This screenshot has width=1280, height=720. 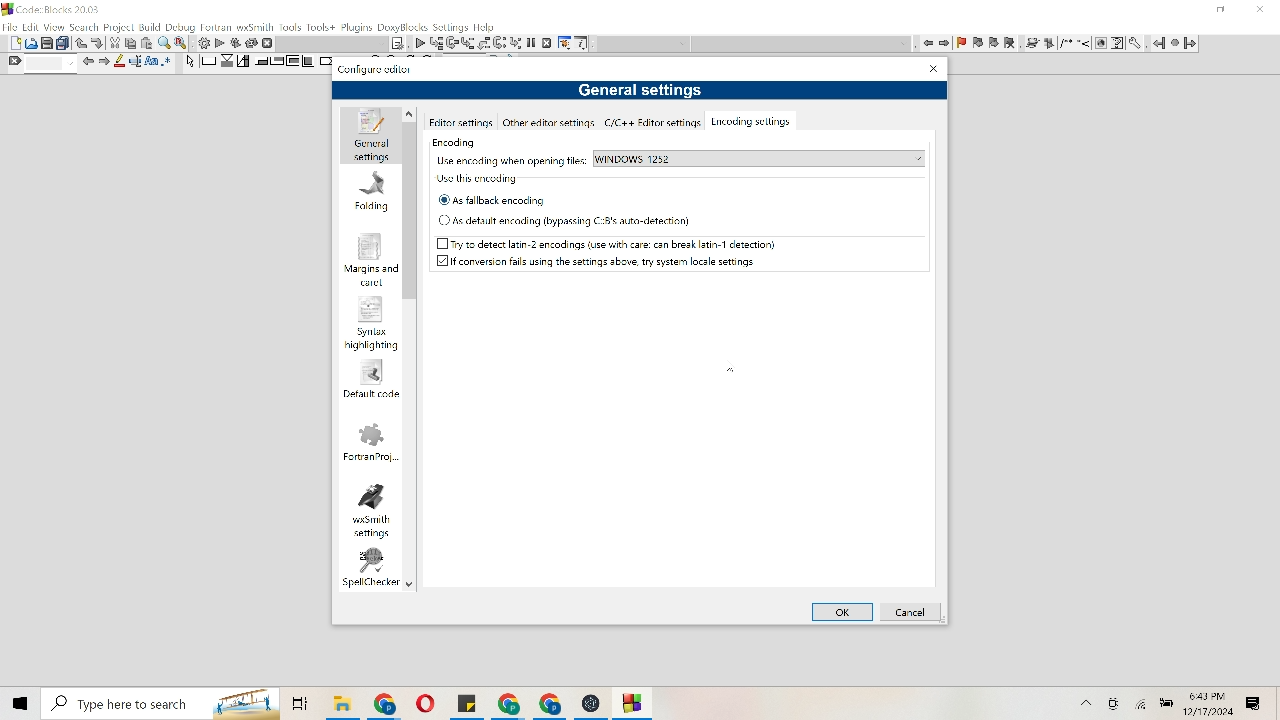 What do you see at coordinates (403, 28) in the screenshot?
I see `Doxyblocks` at bounding box center [403, 28].